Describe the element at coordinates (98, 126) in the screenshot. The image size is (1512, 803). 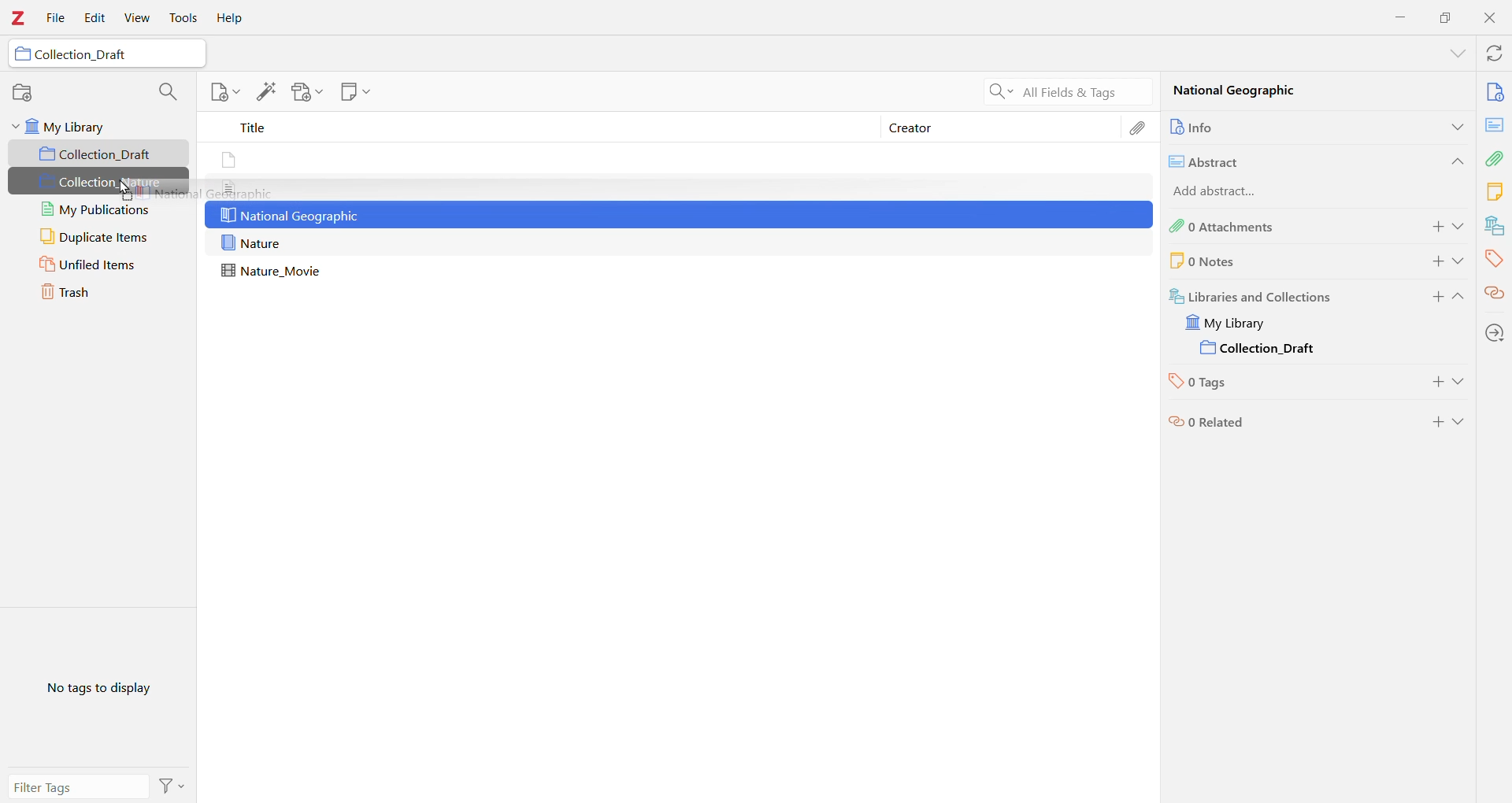
I see `My Library` at that location.